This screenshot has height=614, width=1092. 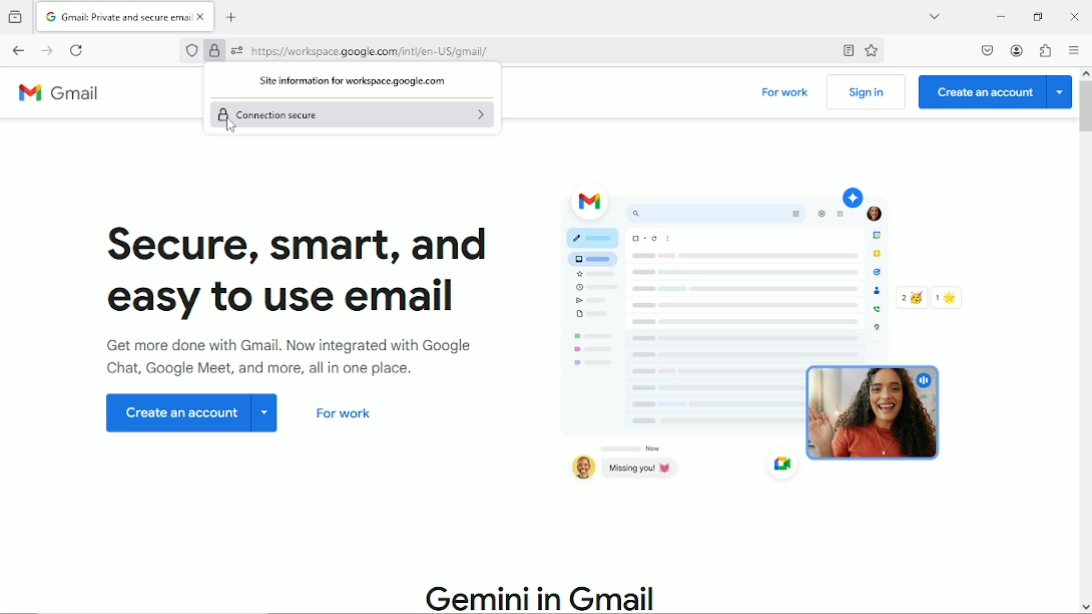 I want to click on cursor, so click(x=230, y=126).